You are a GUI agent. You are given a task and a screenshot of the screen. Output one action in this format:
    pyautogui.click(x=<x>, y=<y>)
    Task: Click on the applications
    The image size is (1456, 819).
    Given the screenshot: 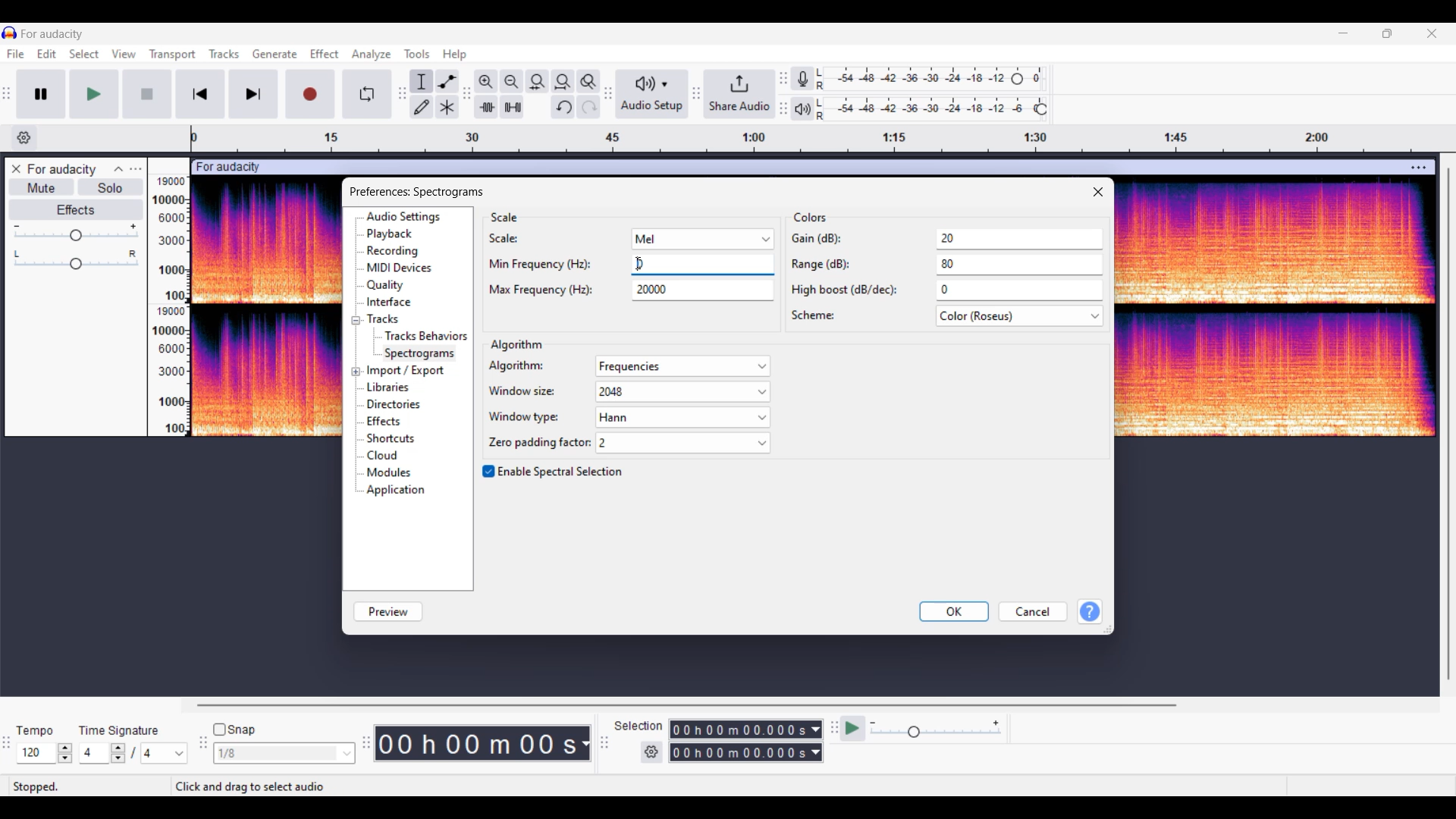 What is the action you would take?
    pyautogui.click(x=398, y=491)
    